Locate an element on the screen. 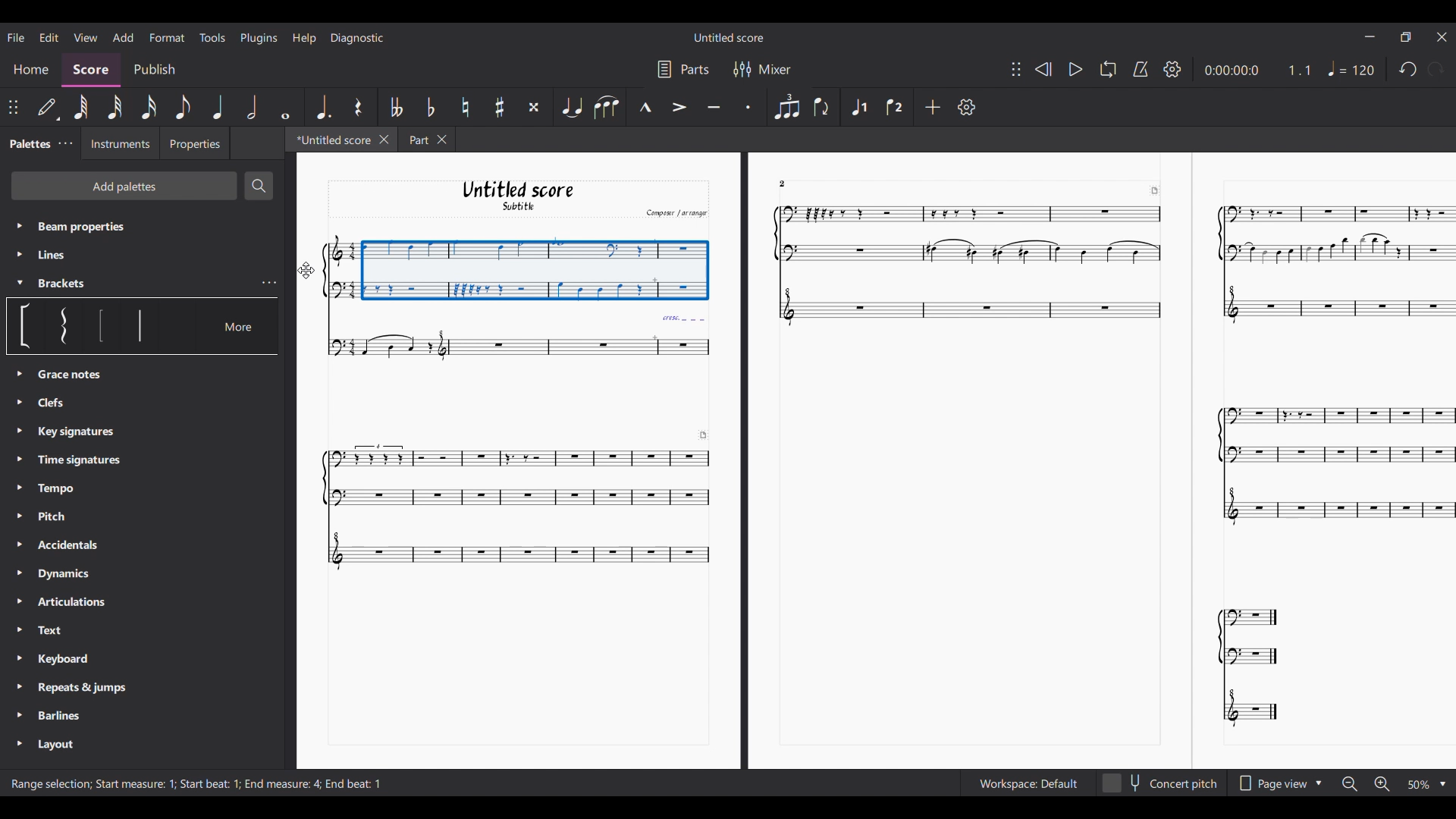  Selected bracket highlighted  is located at coordinates (64, 326).